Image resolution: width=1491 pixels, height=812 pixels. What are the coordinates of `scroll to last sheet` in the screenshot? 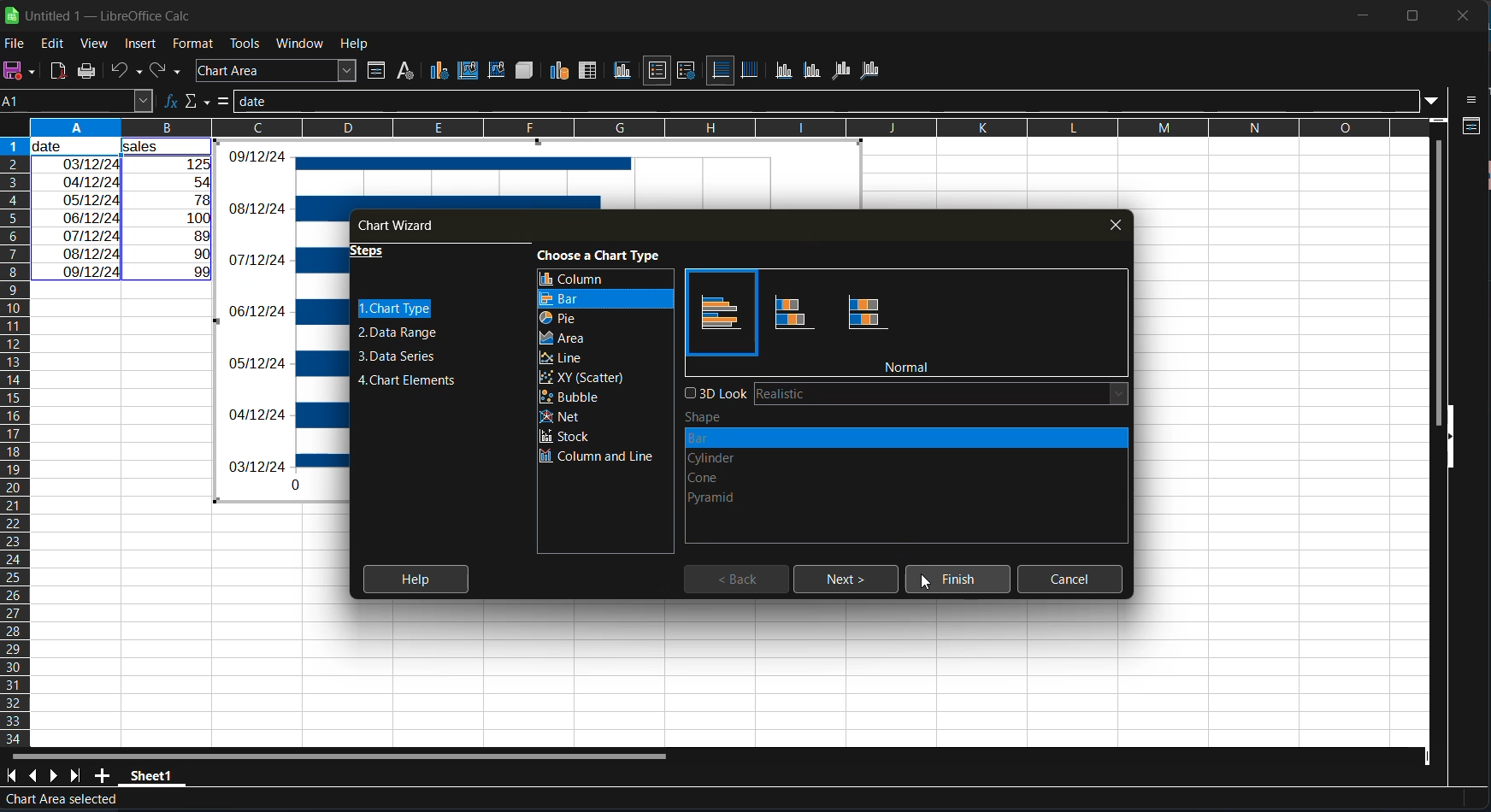 It's located at (79, 777).